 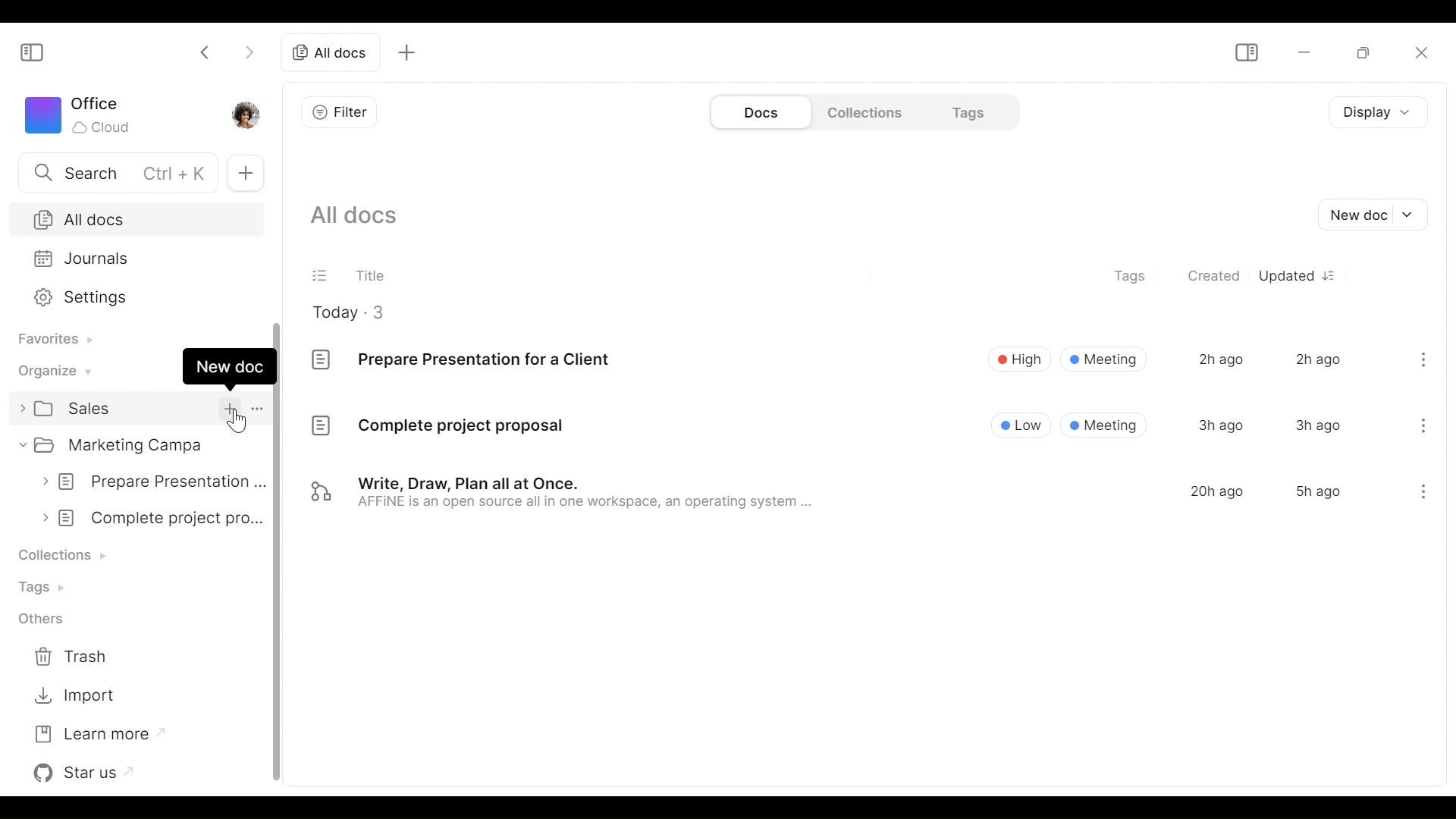 I want to click on Click to go forward, so click(x=245, y=53).